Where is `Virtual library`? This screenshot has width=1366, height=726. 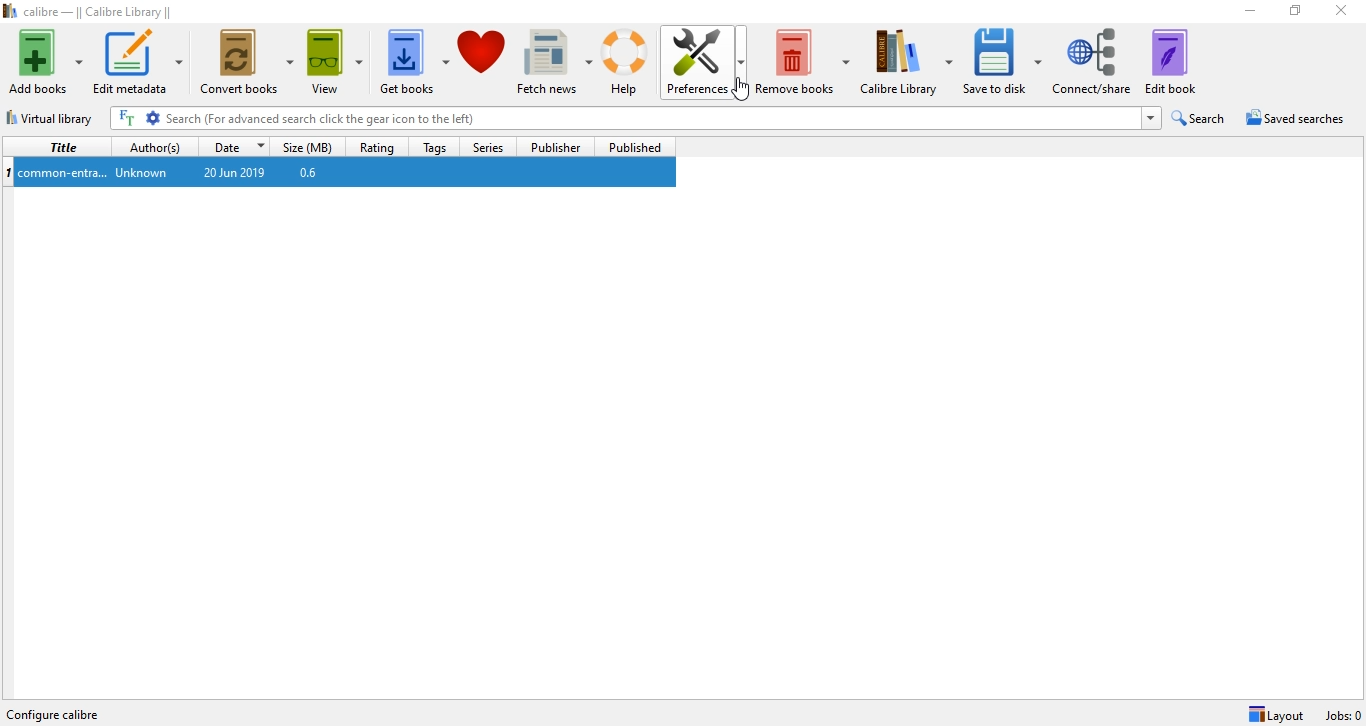
Virtual library is located at coordinates (52, 115).